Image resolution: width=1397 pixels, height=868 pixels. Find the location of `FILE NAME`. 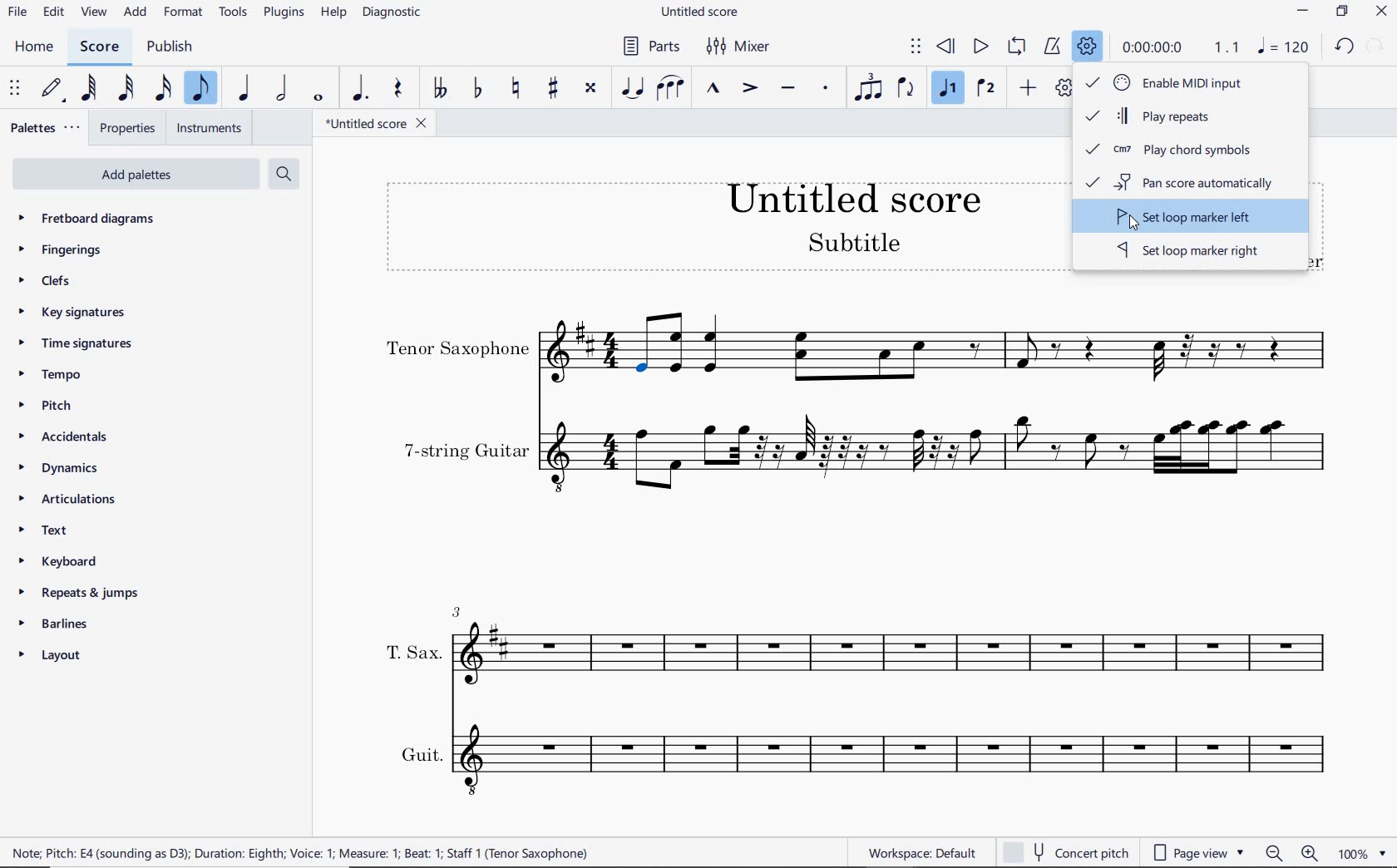

FILE NAME is located at coordinates (378, 126).